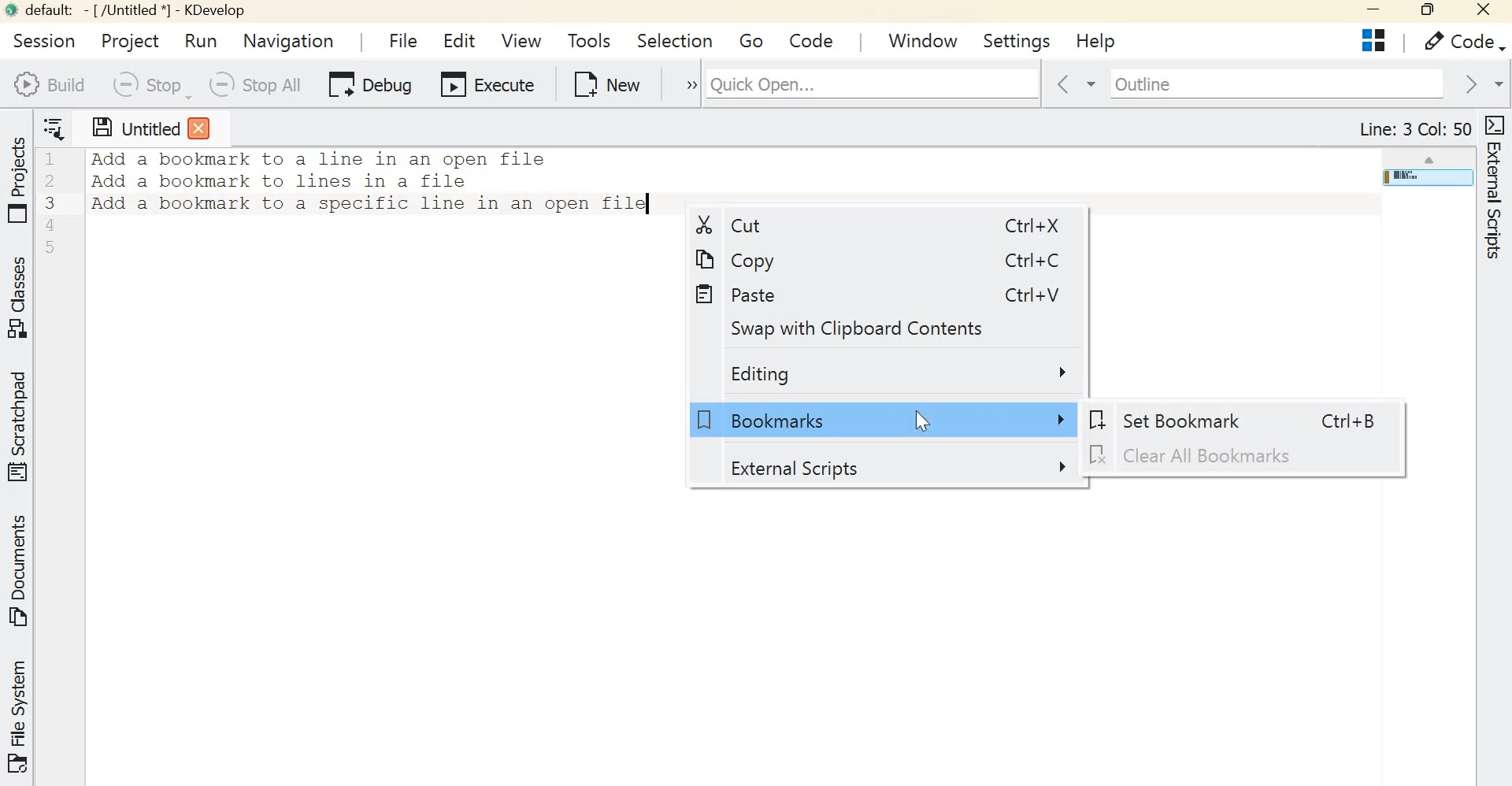  Describe the element at coordinates (587, 40) in the screenshot. I see `Tools` at that location.